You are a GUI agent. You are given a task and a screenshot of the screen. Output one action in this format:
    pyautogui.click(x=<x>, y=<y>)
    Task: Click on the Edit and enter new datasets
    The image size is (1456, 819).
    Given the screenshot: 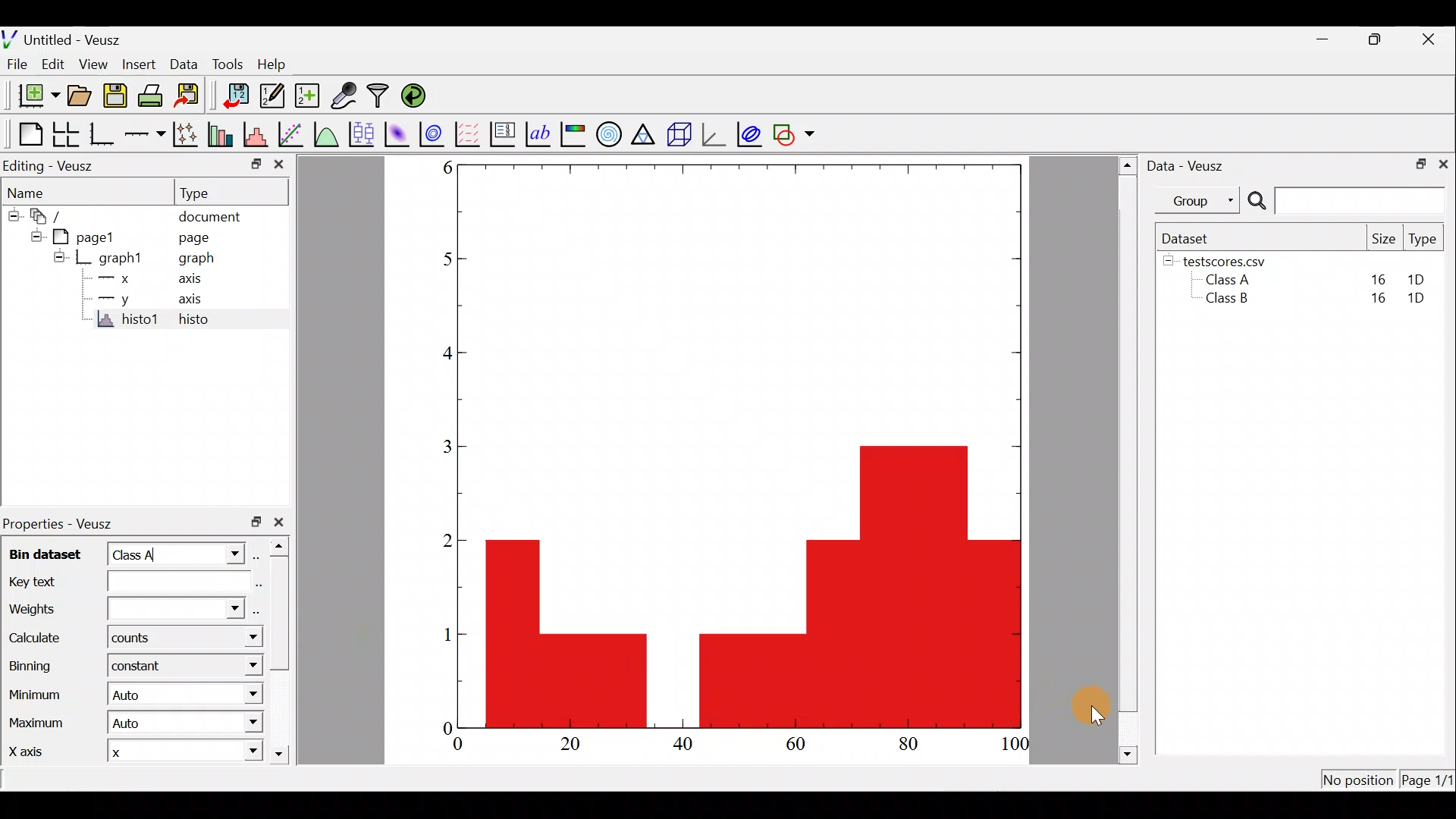 What is the action you would take?
    pyautogui.click(x=269, y=96)
    